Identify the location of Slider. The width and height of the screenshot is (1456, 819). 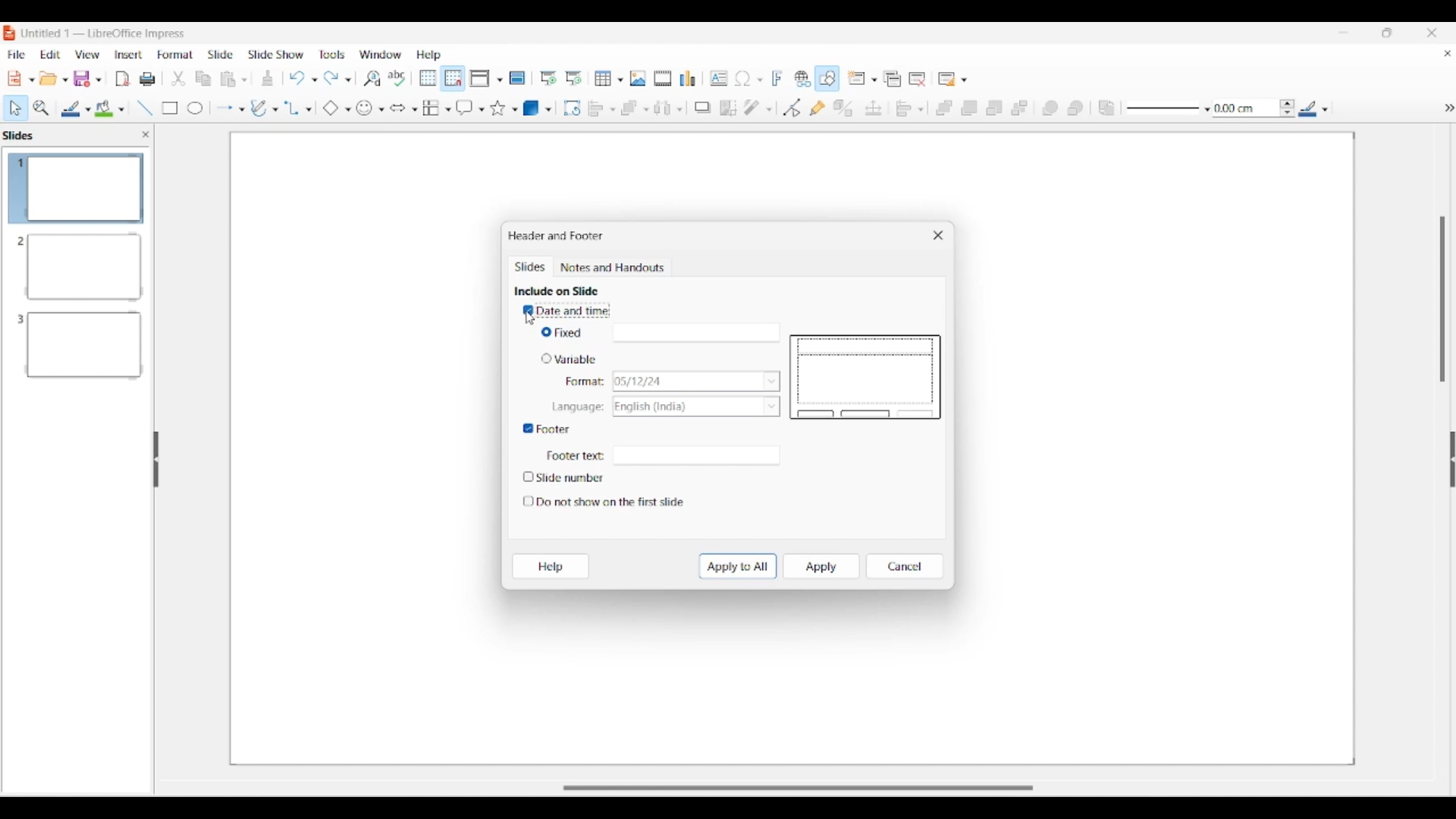
(786, 787).